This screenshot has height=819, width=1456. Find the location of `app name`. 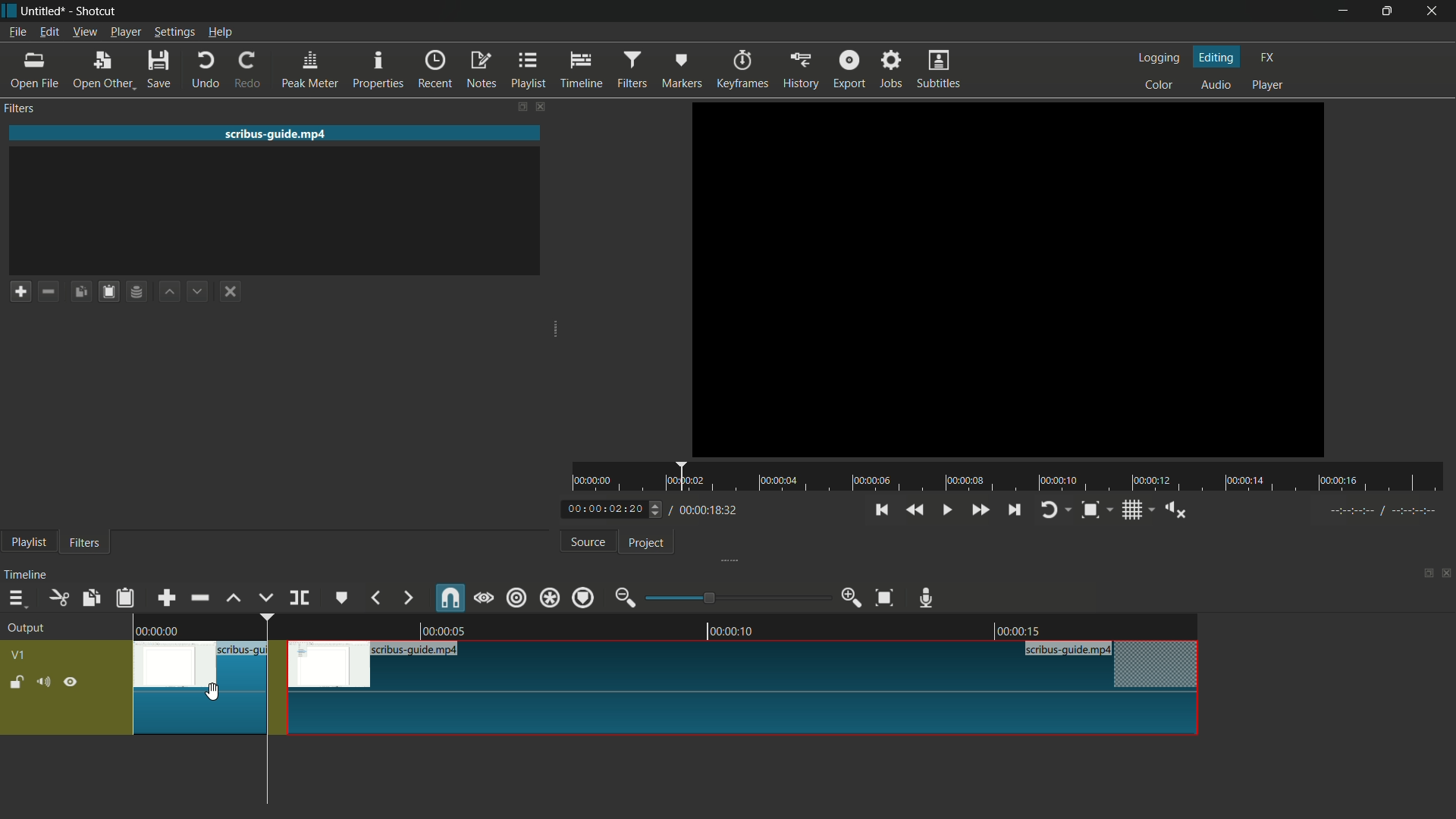

app name is located at coordinates (96, 11).